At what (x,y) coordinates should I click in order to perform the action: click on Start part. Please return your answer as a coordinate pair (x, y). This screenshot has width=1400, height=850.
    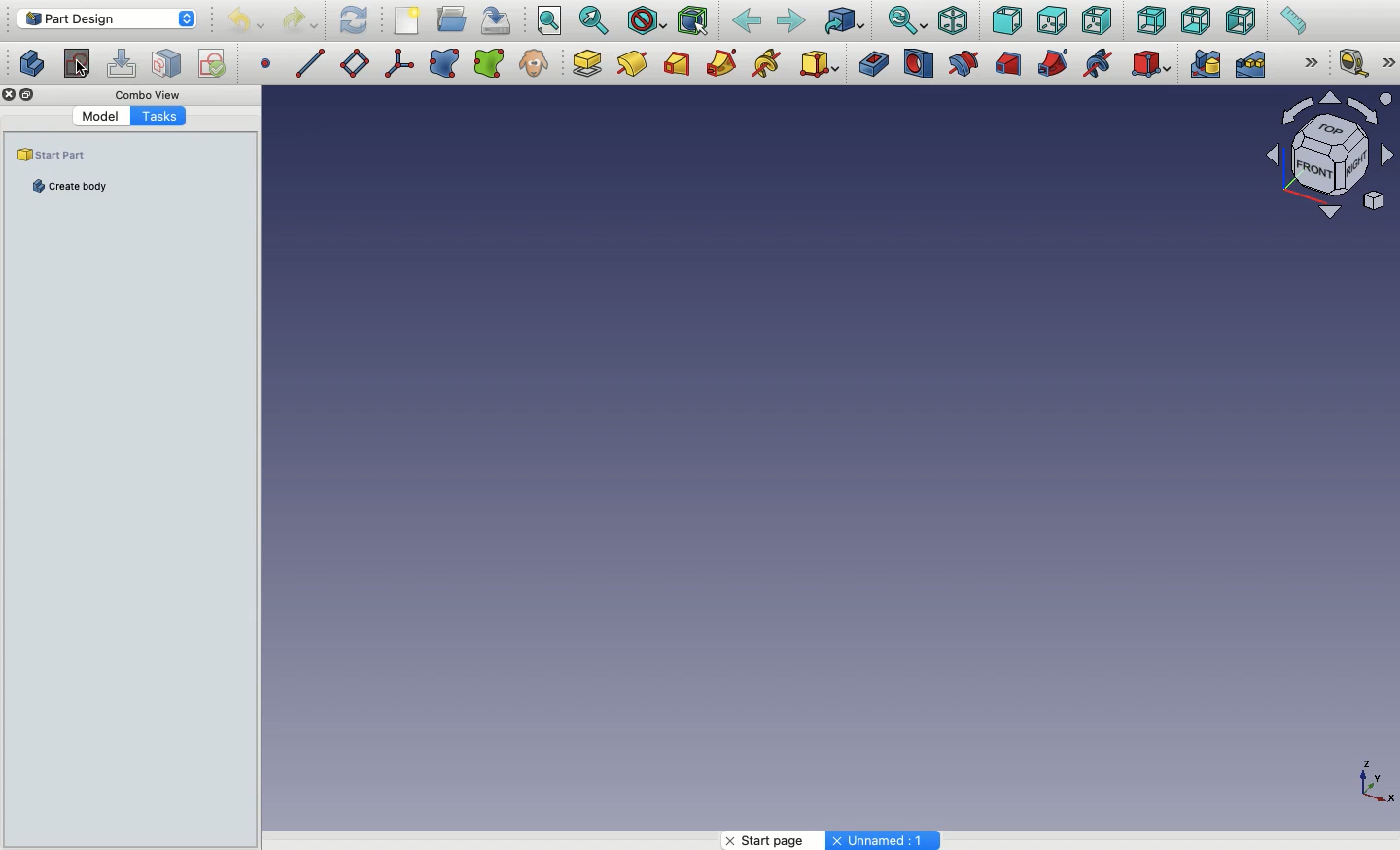
    Looking at the image, I should click on (54, 153).